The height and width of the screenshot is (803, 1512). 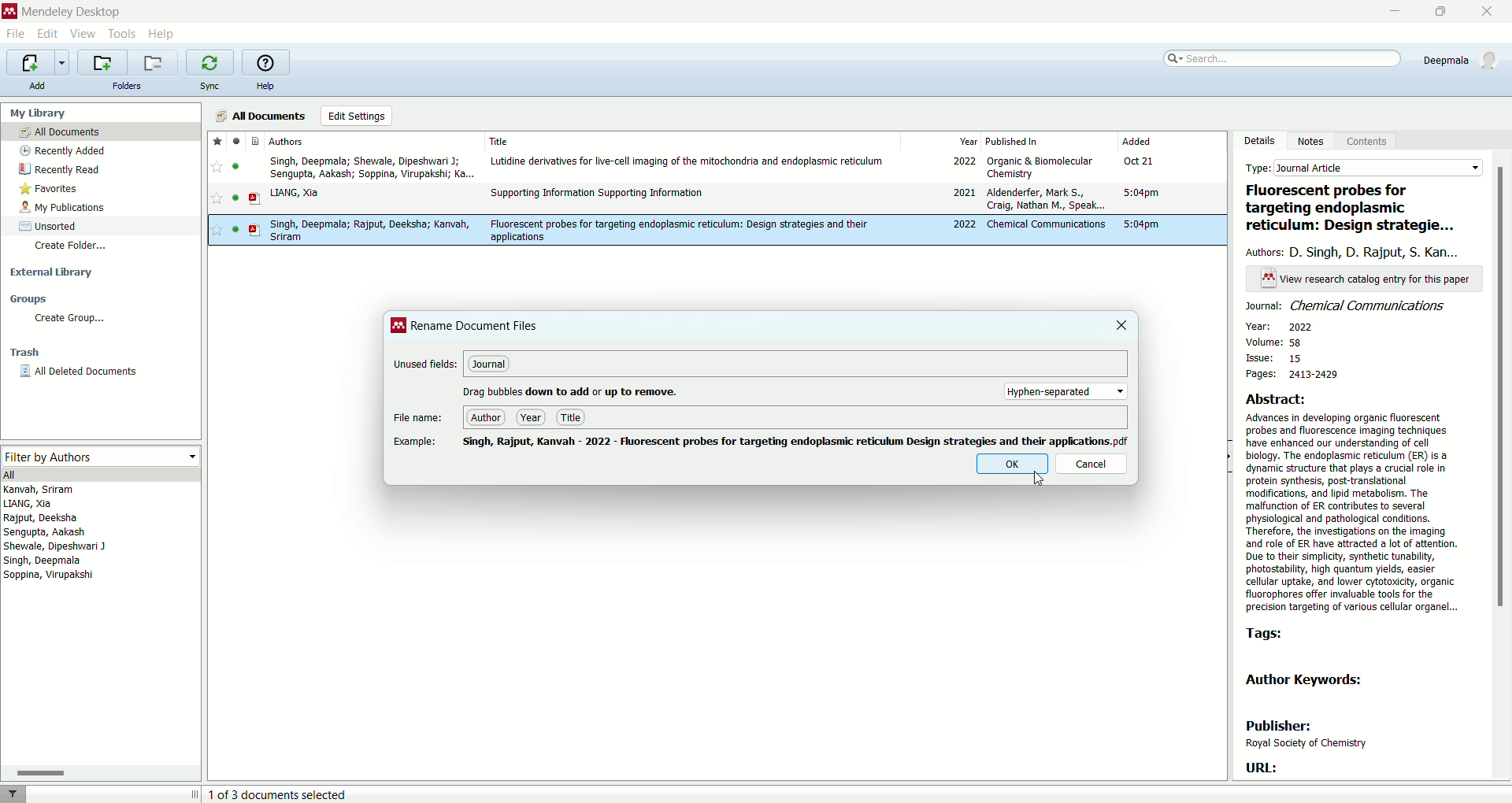 What do you see at coordinates (1442, 12) in the screenshot?
I see `maximize` at bounding box center [1442, 12].